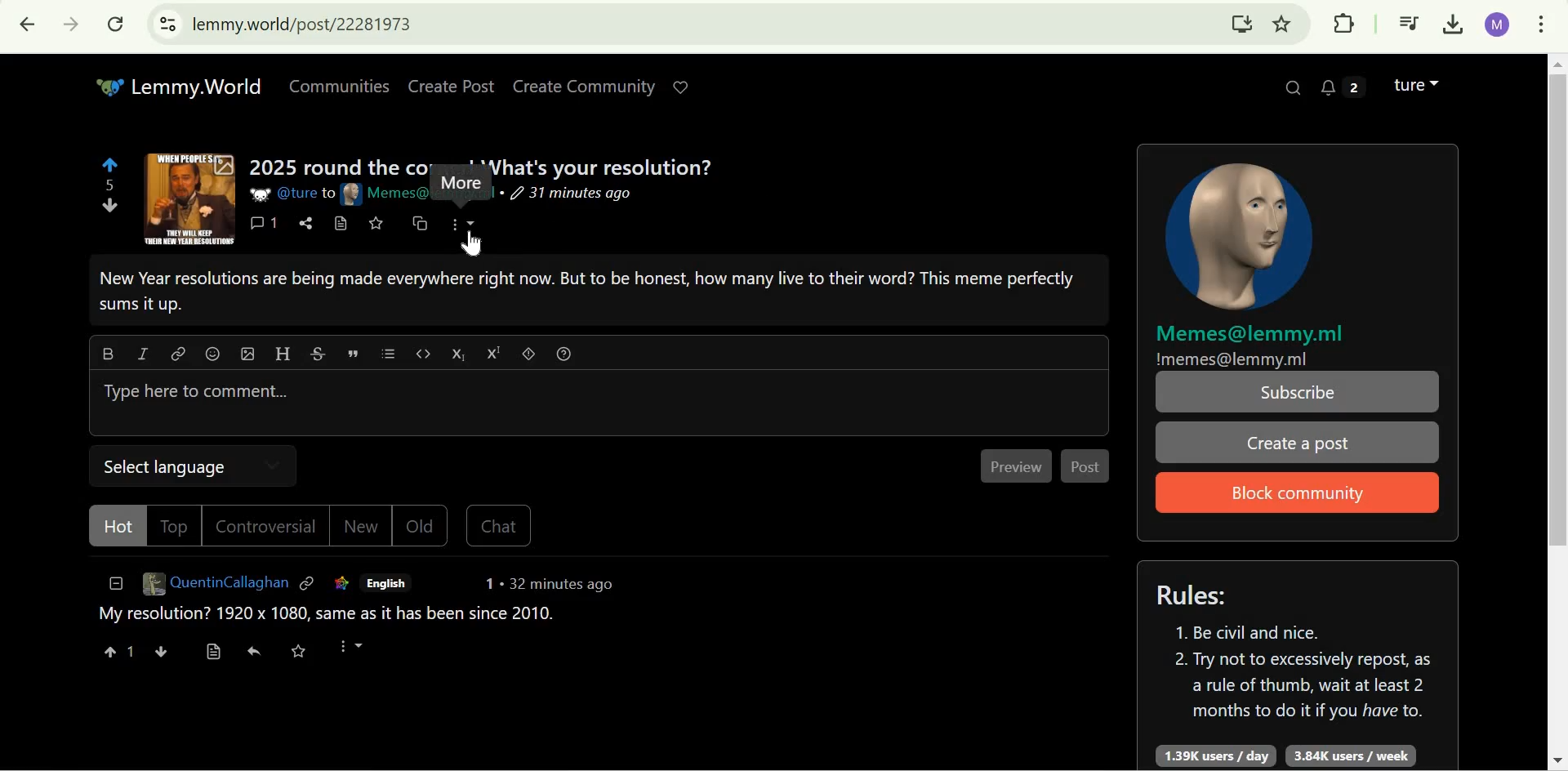  Describe the element at coordinates (112, 184) in the screenshot. I see `5 points` at that location.